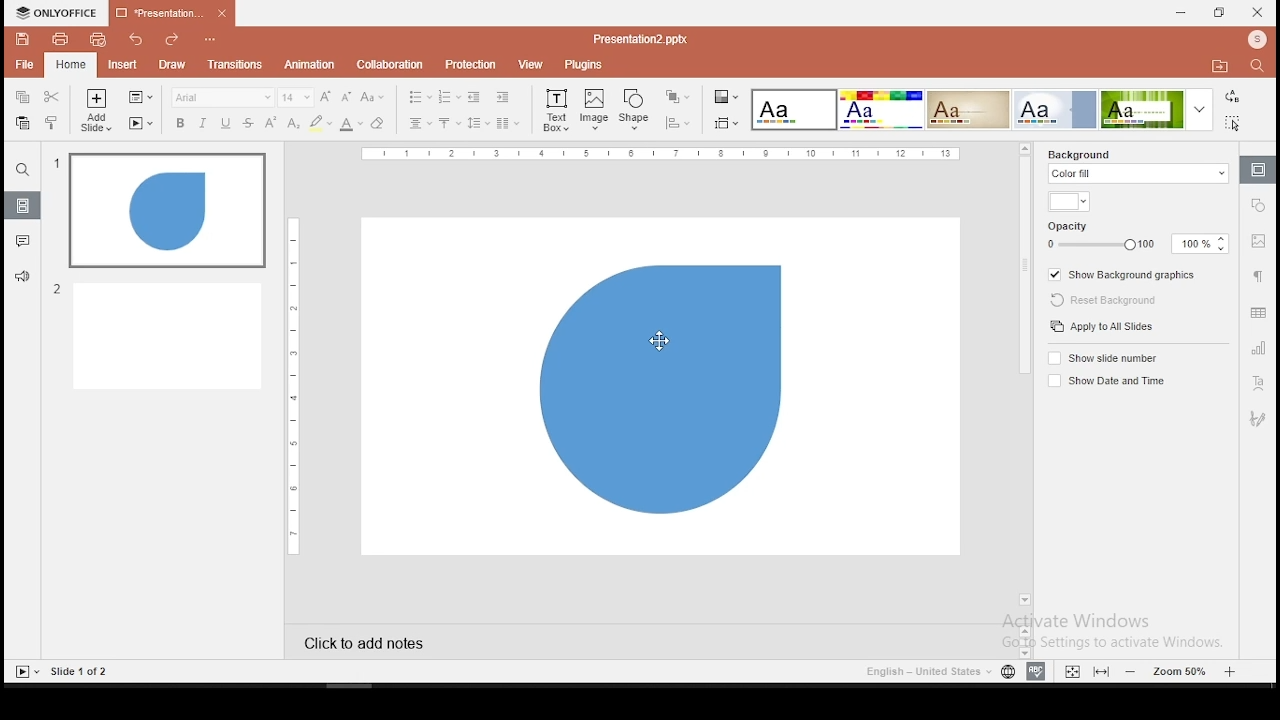  Describe the element at coordinates (677, 123) in the screenshot. I see `align objects` at that location.